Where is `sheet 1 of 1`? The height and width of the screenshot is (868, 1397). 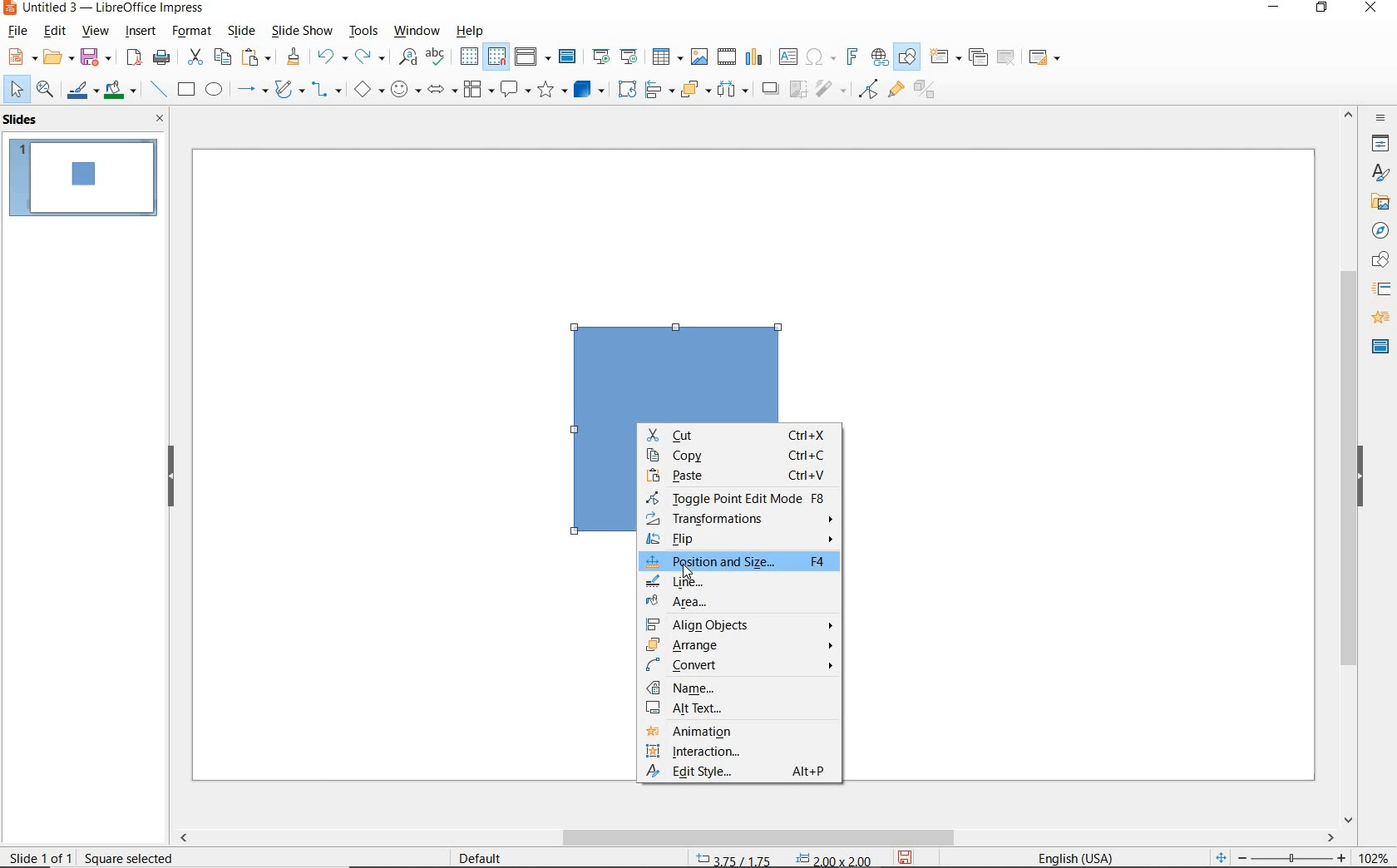
sheet 1 of 1 is located at coordinates (42, 856).